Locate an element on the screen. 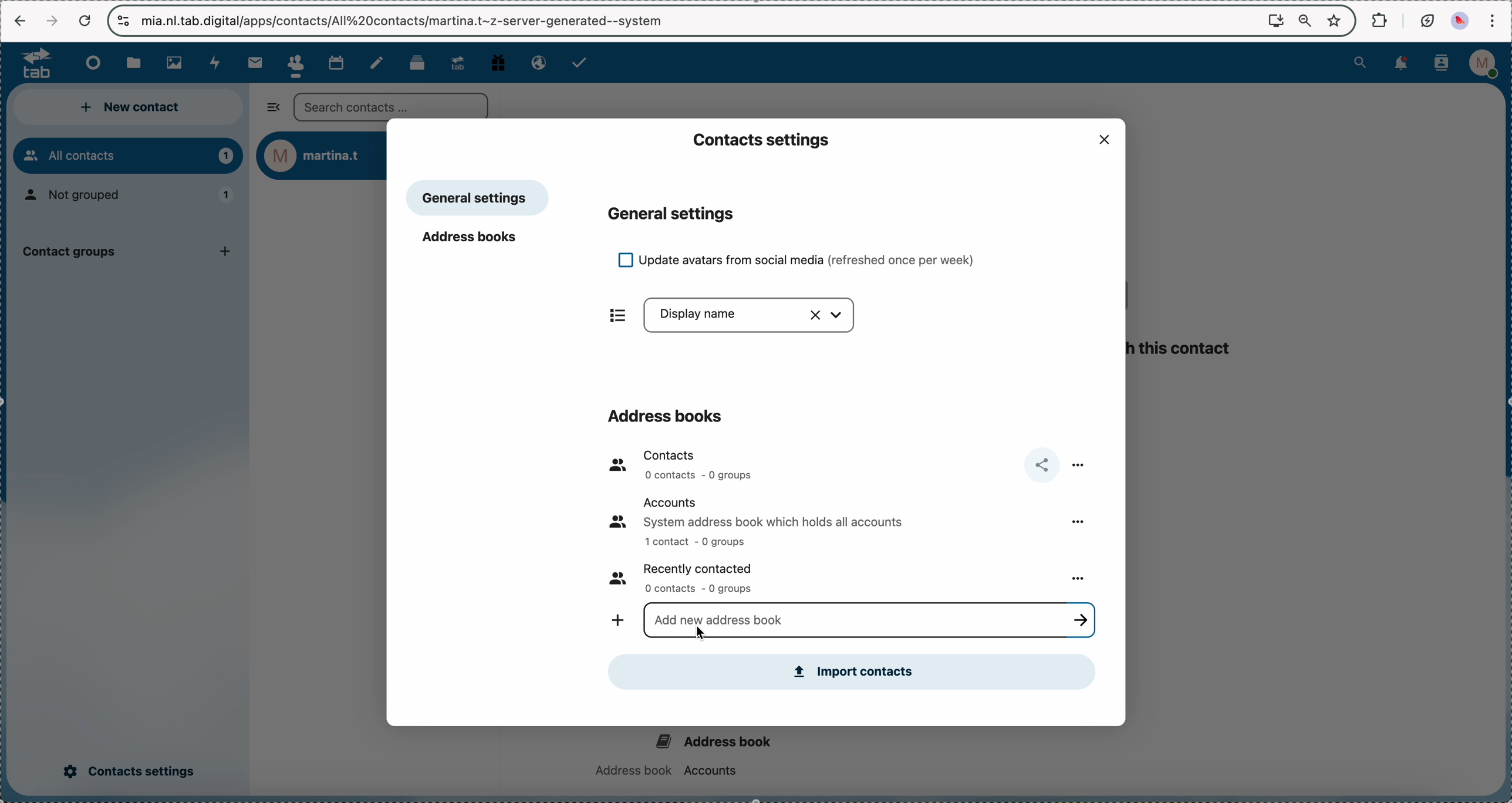  zoom out is located at coordinates (1304, 18).